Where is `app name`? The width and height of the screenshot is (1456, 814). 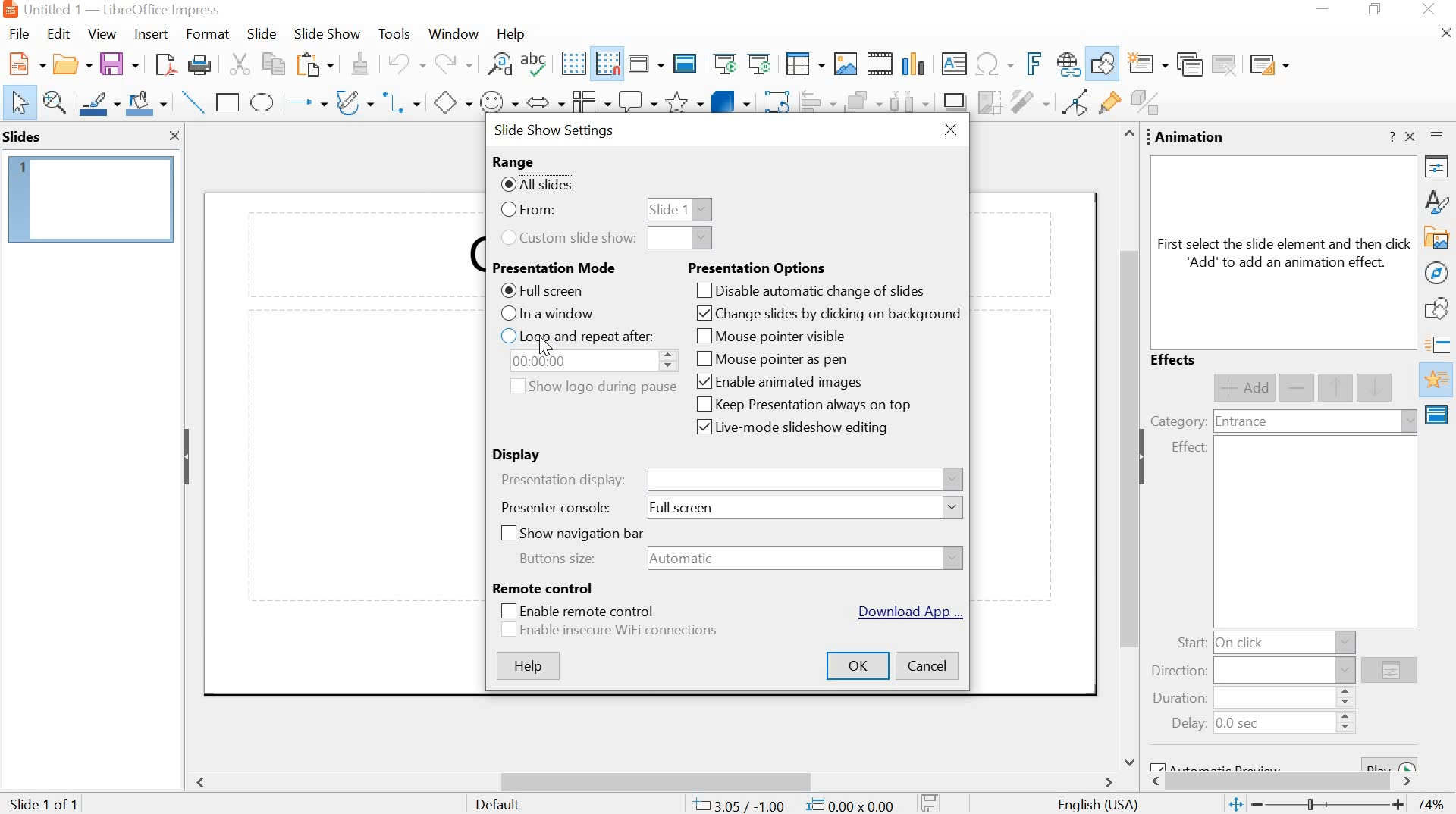 app name is located at coordinates (162, 10).